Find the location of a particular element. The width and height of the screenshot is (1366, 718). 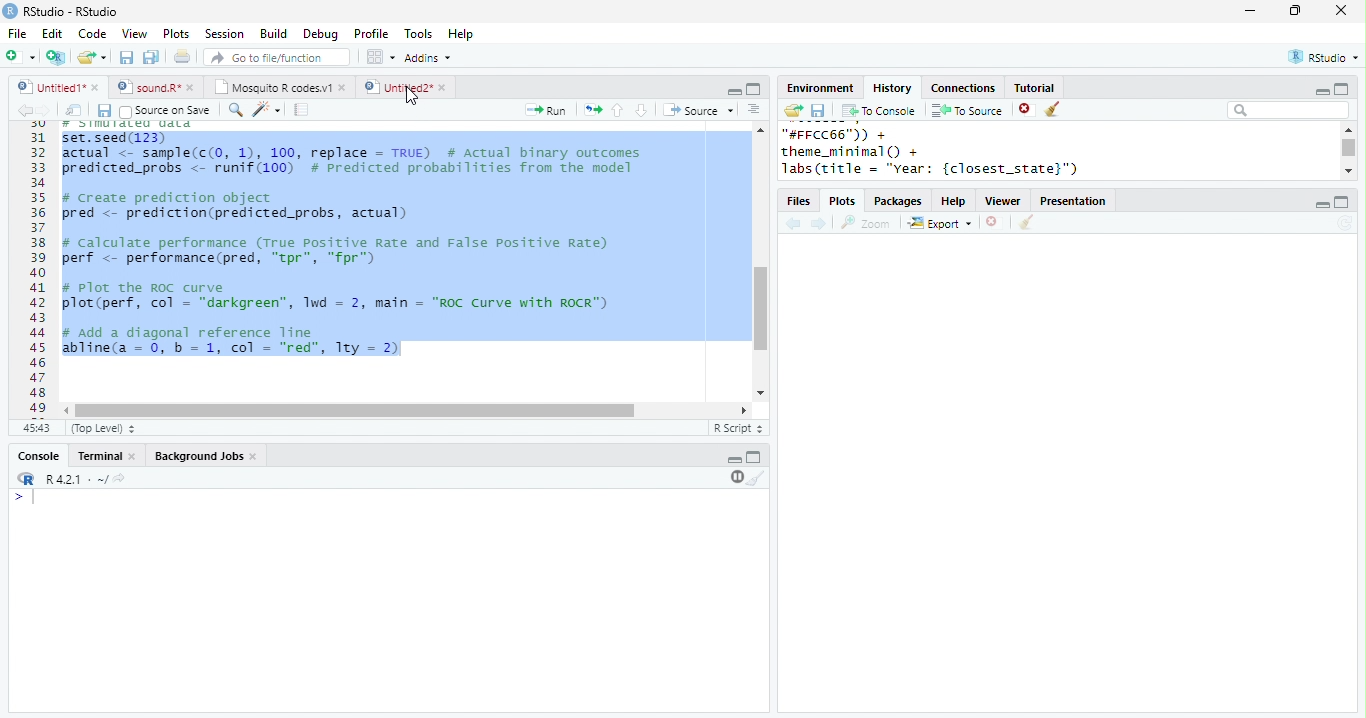

scroll down is located at coordinates (759, 393).